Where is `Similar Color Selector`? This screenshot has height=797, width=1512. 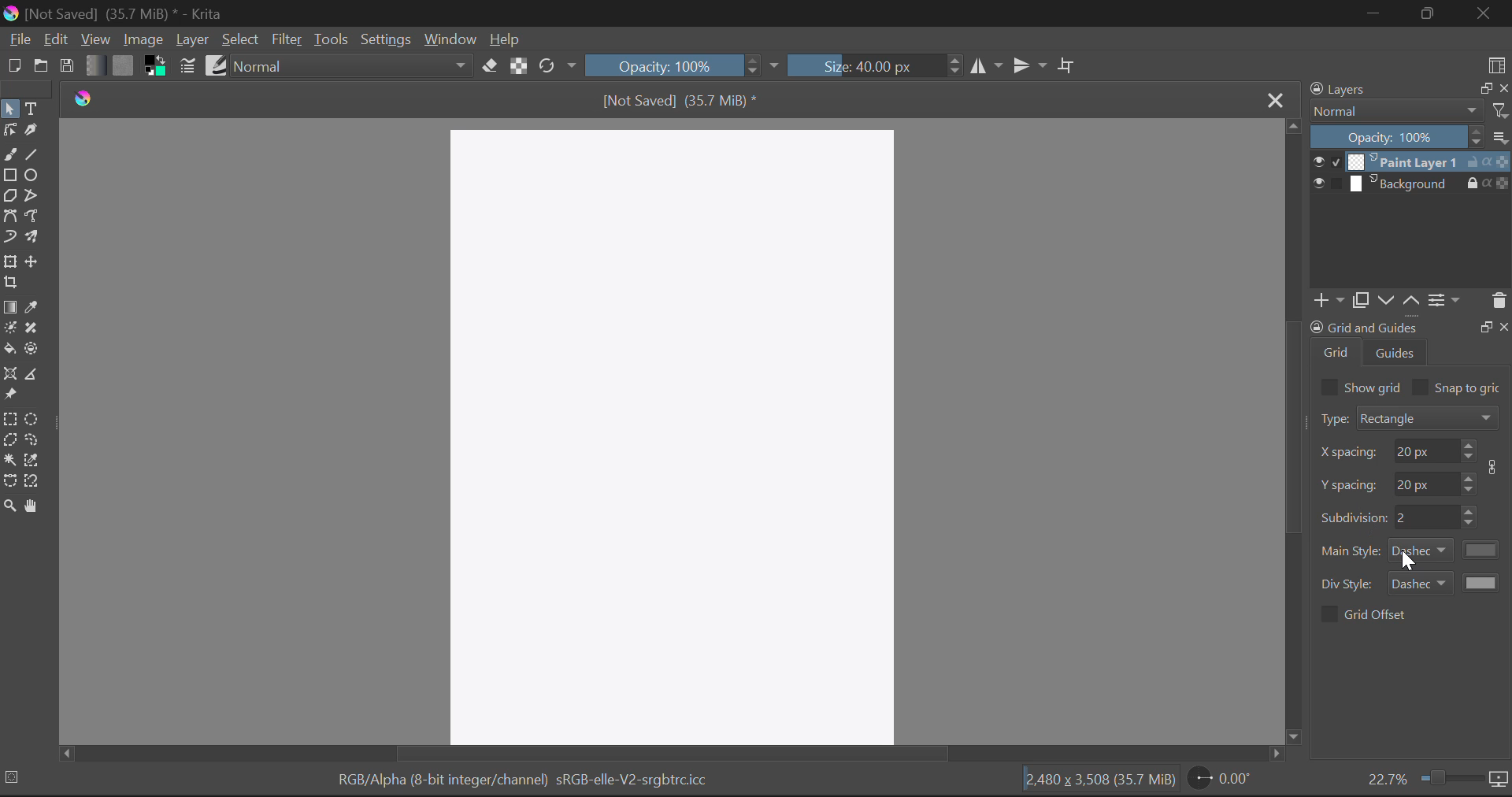
Similar Color Selector is located at coordinates (32, 459).